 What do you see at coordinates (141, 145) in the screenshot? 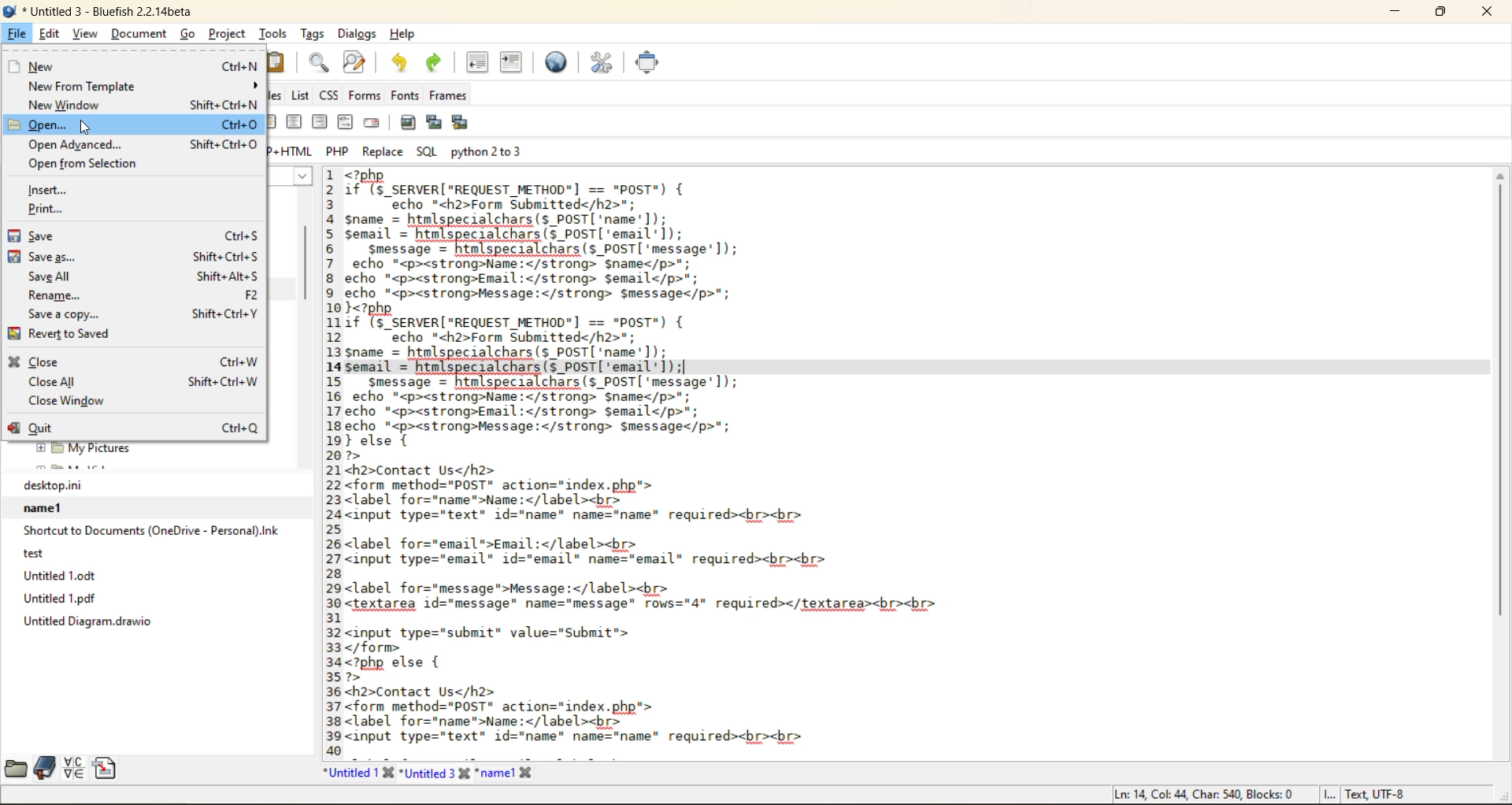
I see `open advanced` at bounding box center [141, 145].